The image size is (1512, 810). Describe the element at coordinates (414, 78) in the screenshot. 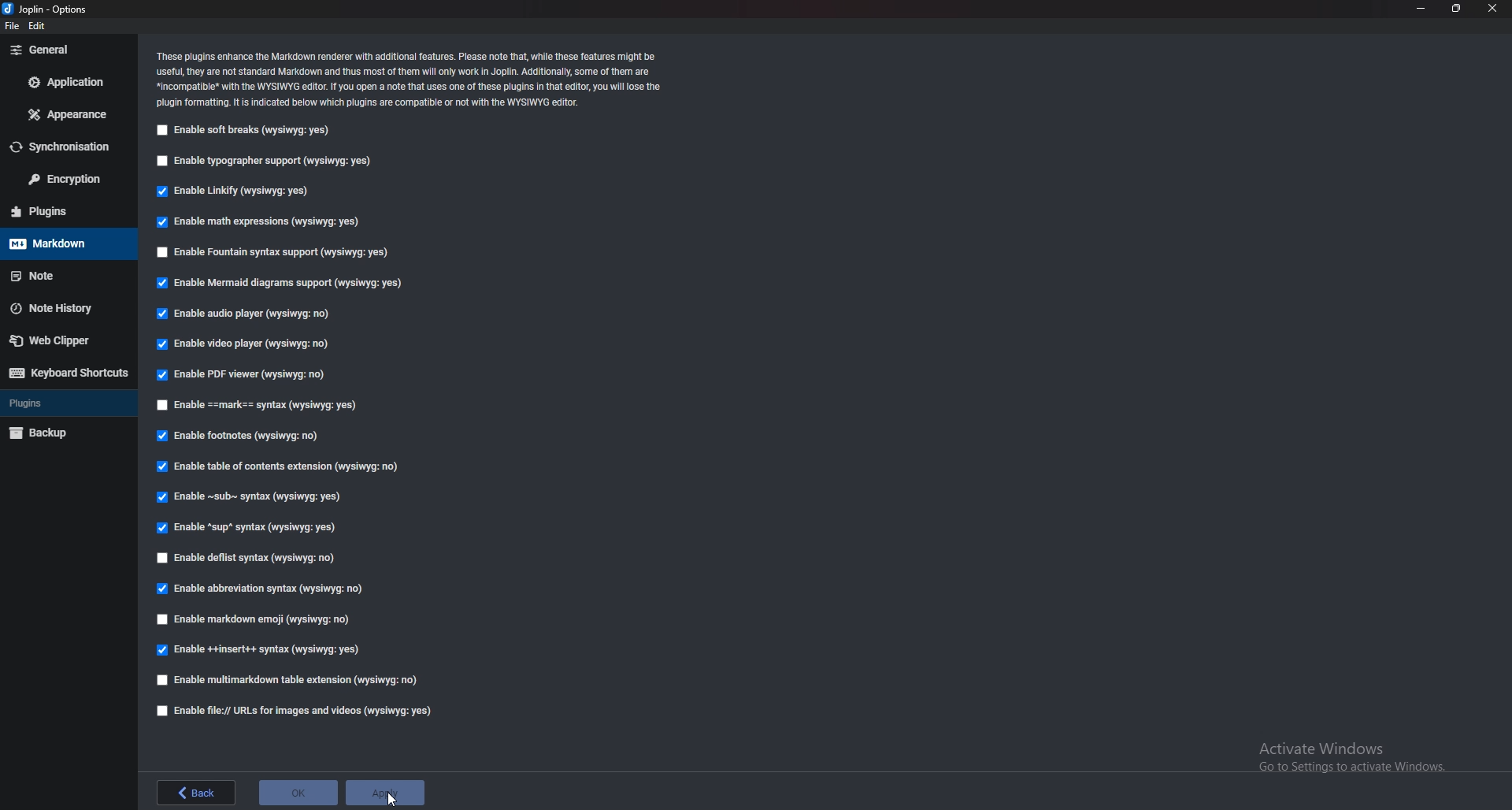

I see `Info` at that location.